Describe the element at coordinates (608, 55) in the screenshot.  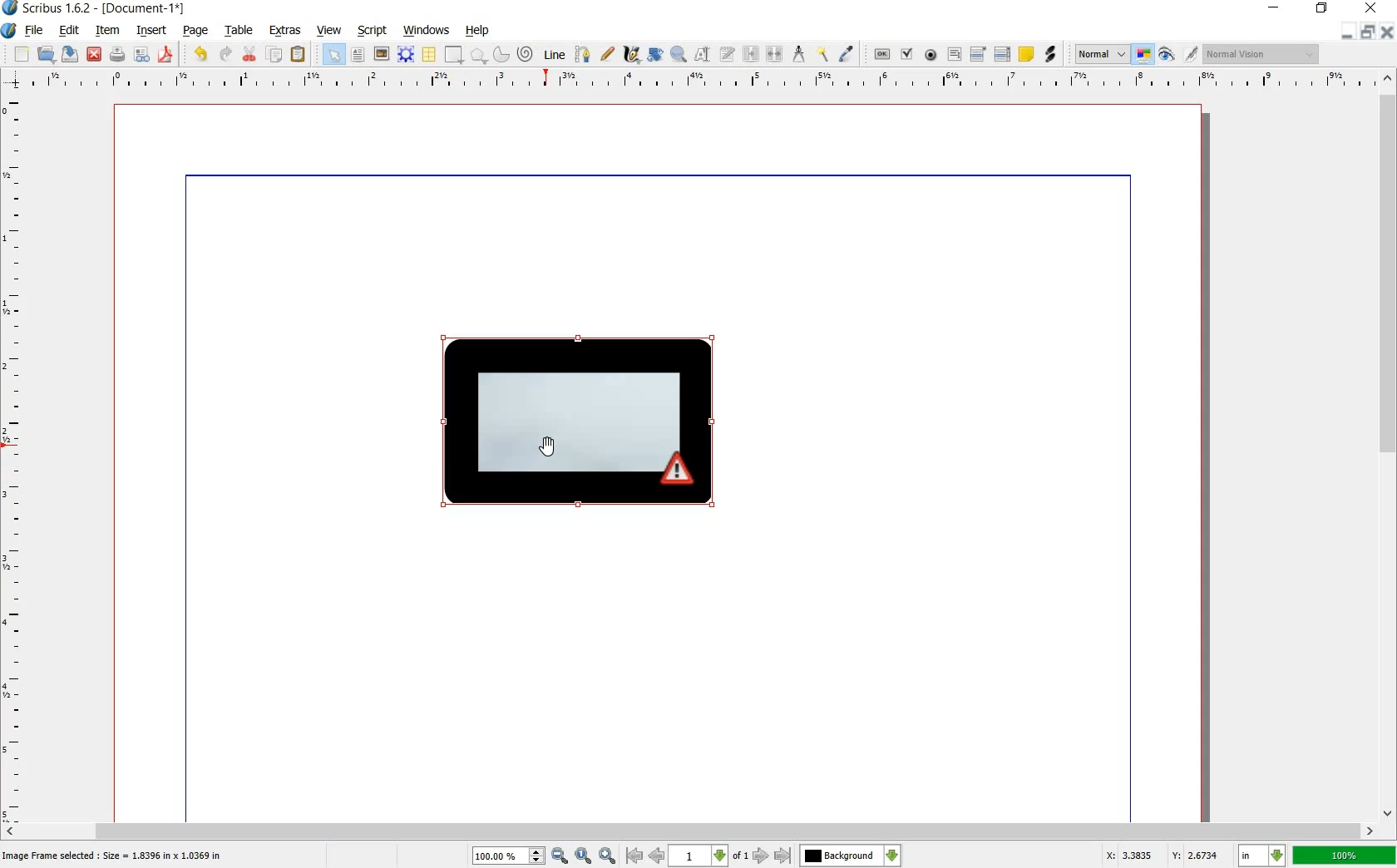
I see `freehand line` at that location.